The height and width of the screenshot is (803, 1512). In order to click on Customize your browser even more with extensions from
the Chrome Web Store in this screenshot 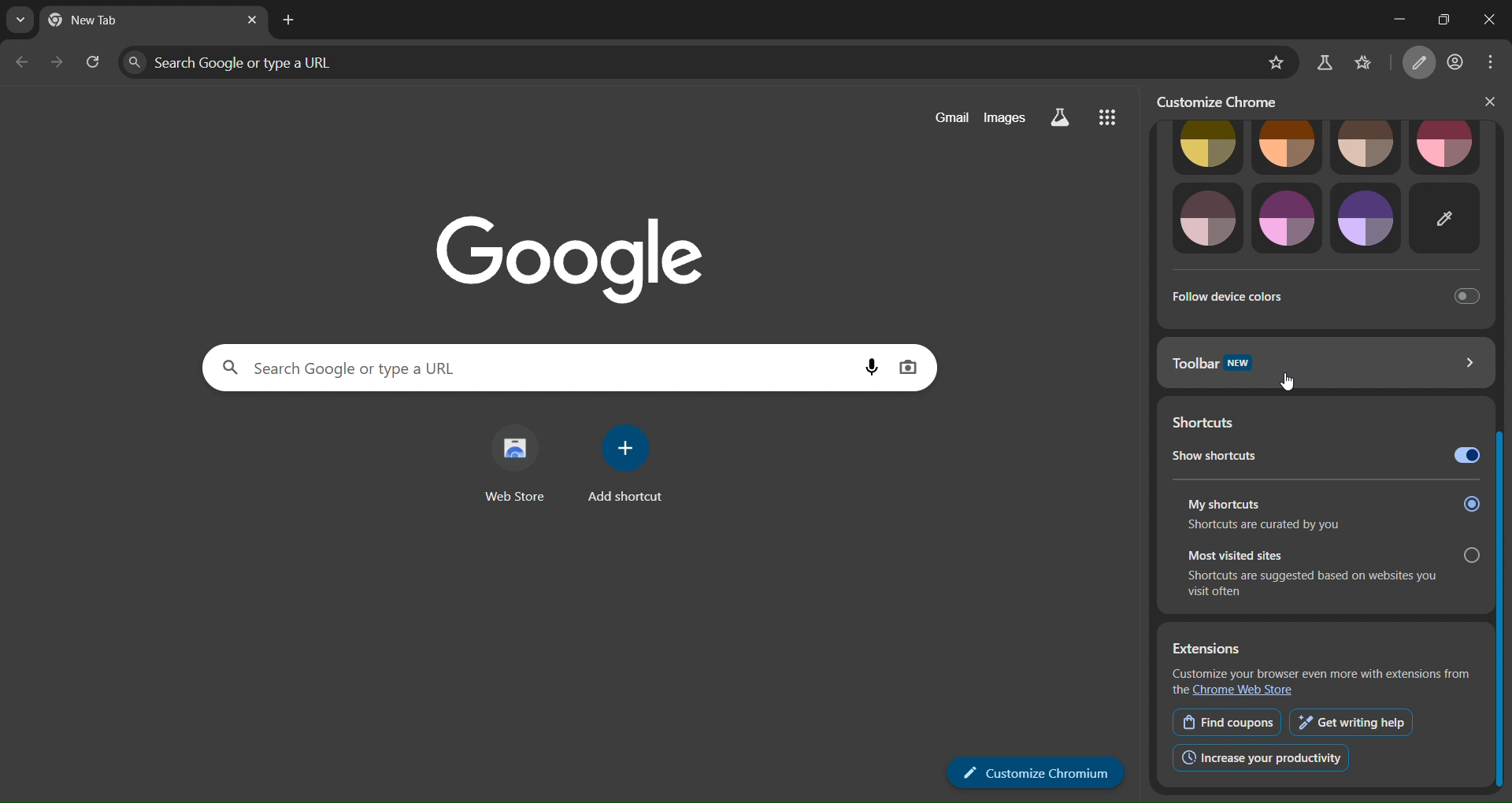, I will do `click(1320, 682)`.